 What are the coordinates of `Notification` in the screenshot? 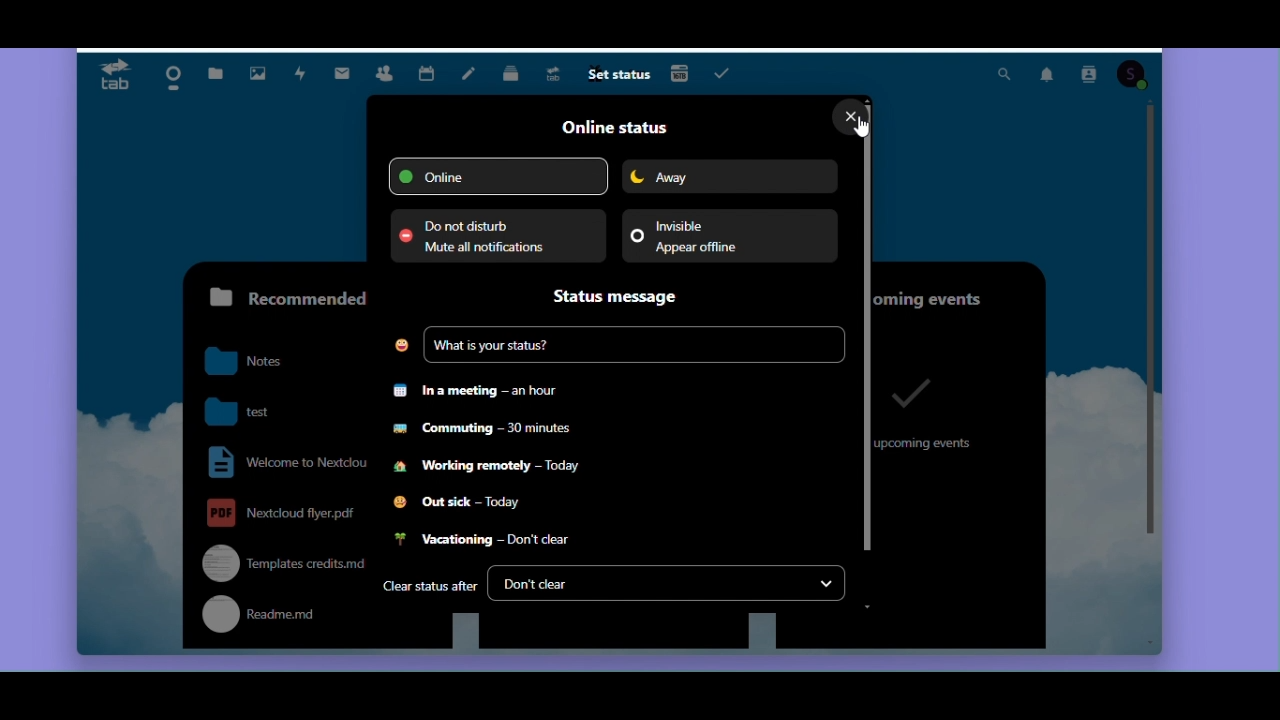 It's located at (1045, 76).